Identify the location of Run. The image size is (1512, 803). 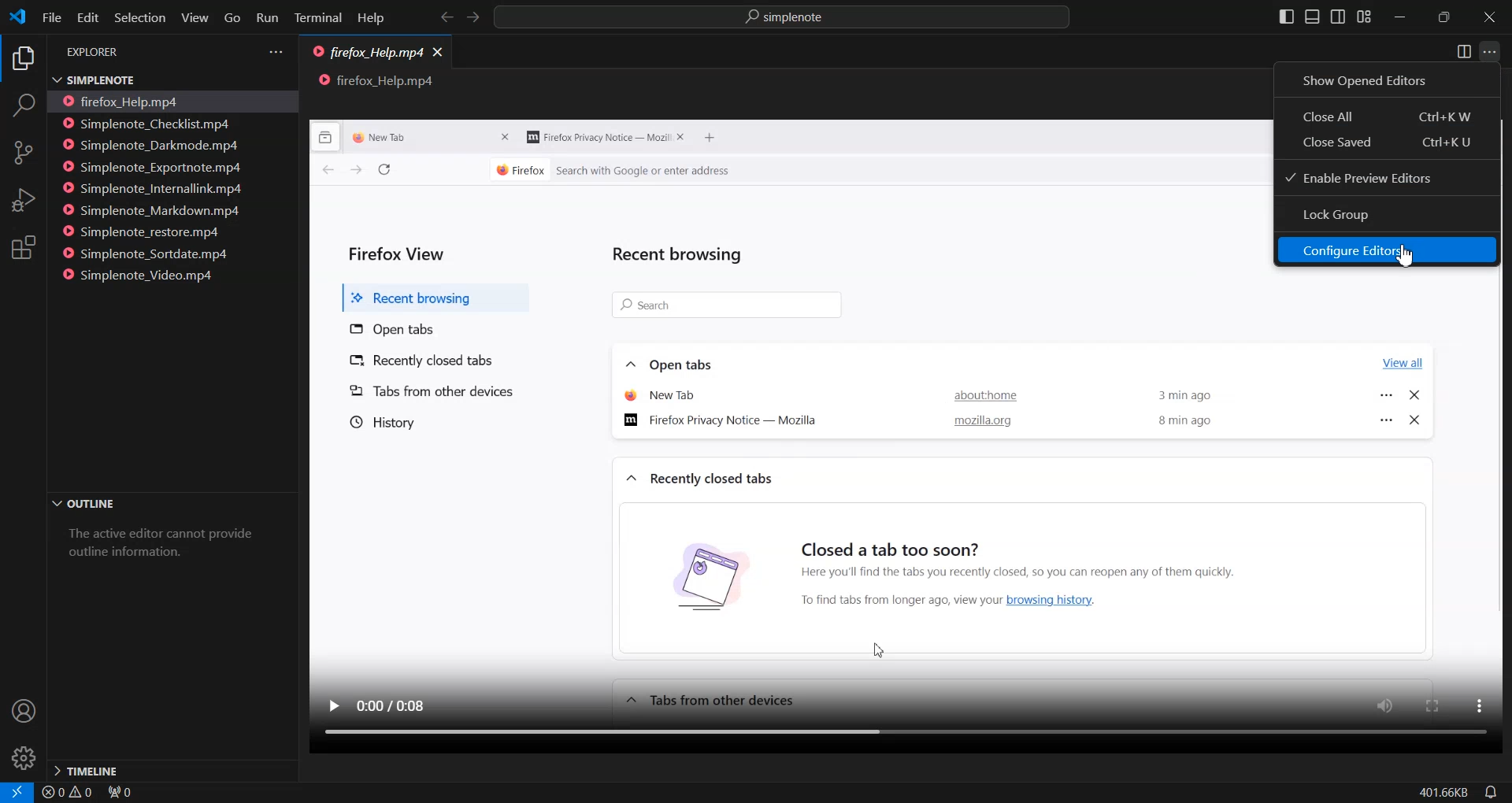
(266, 19).